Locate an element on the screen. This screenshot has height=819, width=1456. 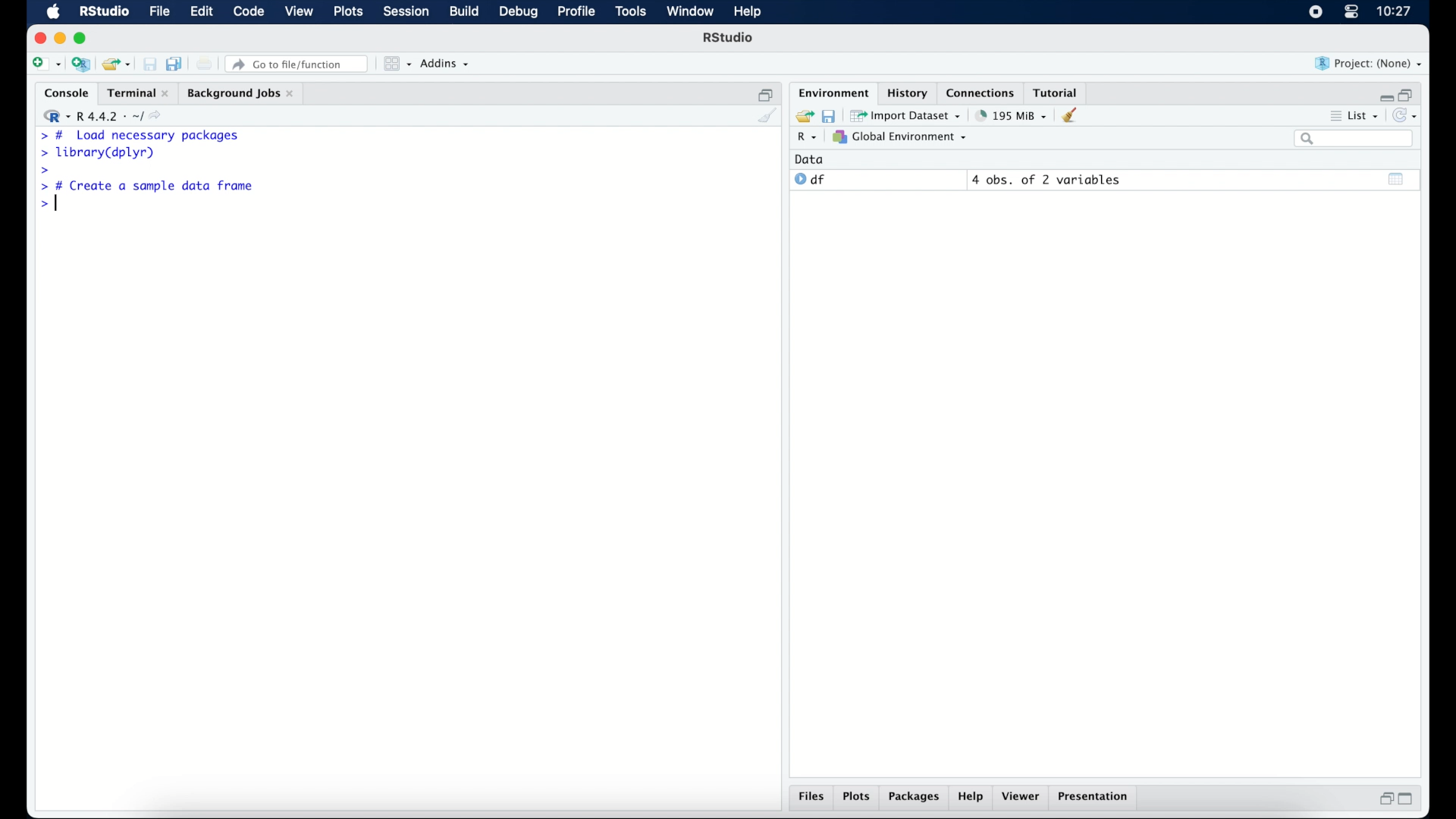
build is located at coordinates (463, 12).